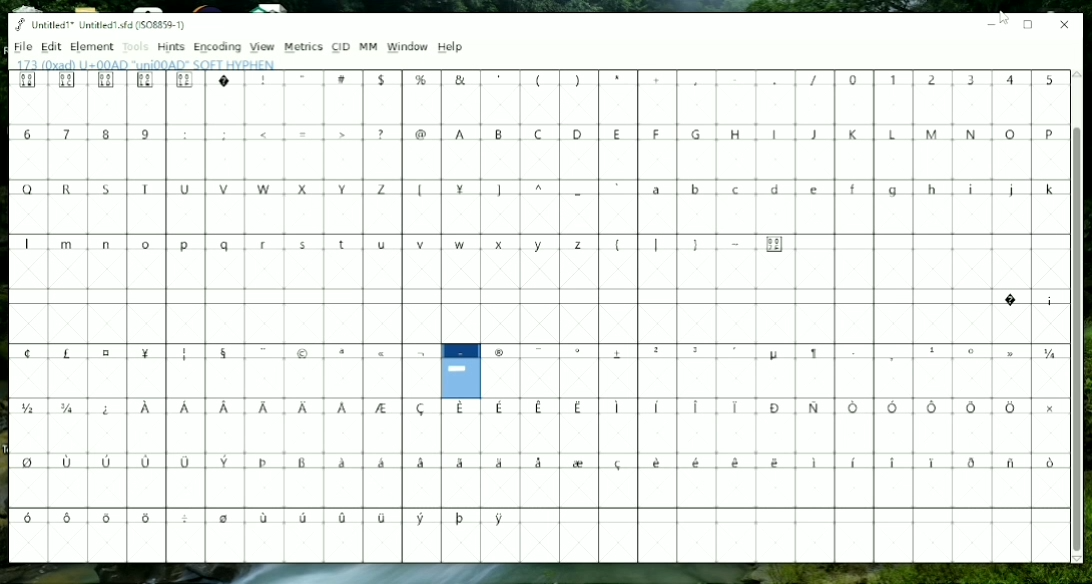  Describe the element at coordinates (1028, 25) in the screenshot. I see `Maximize` at that location.